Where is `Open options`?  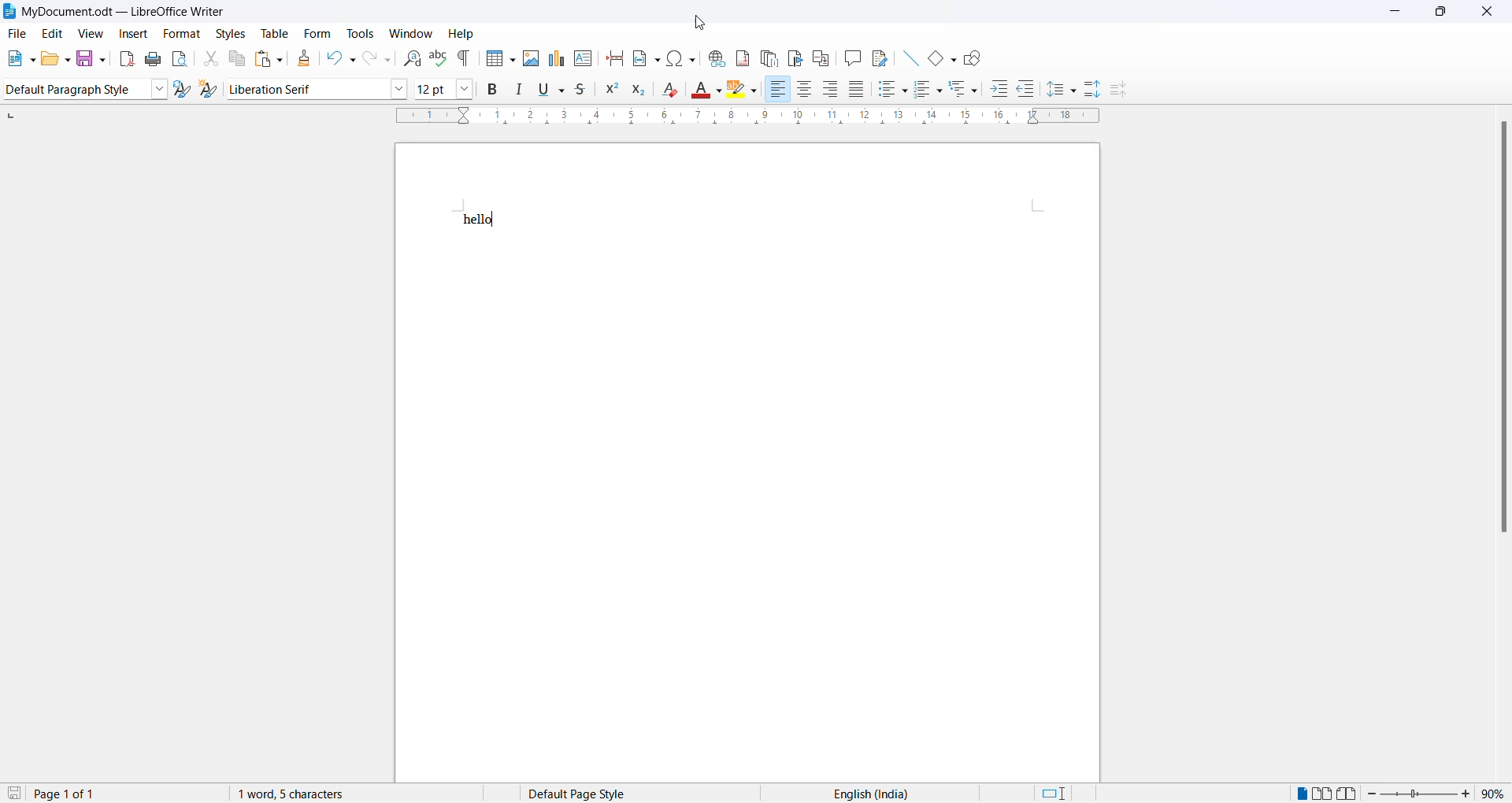
Open options is located at coordinates (56, 59).